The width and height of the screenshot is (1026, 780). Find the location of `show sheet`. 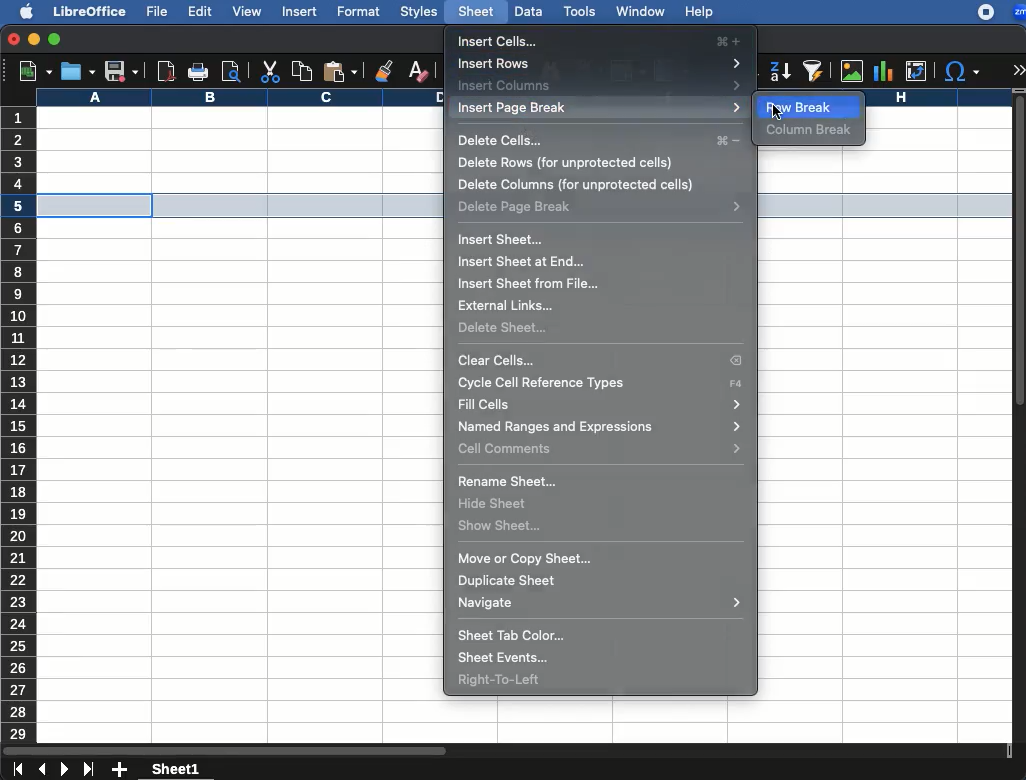

show sheet is located at coordinates (501, 526).